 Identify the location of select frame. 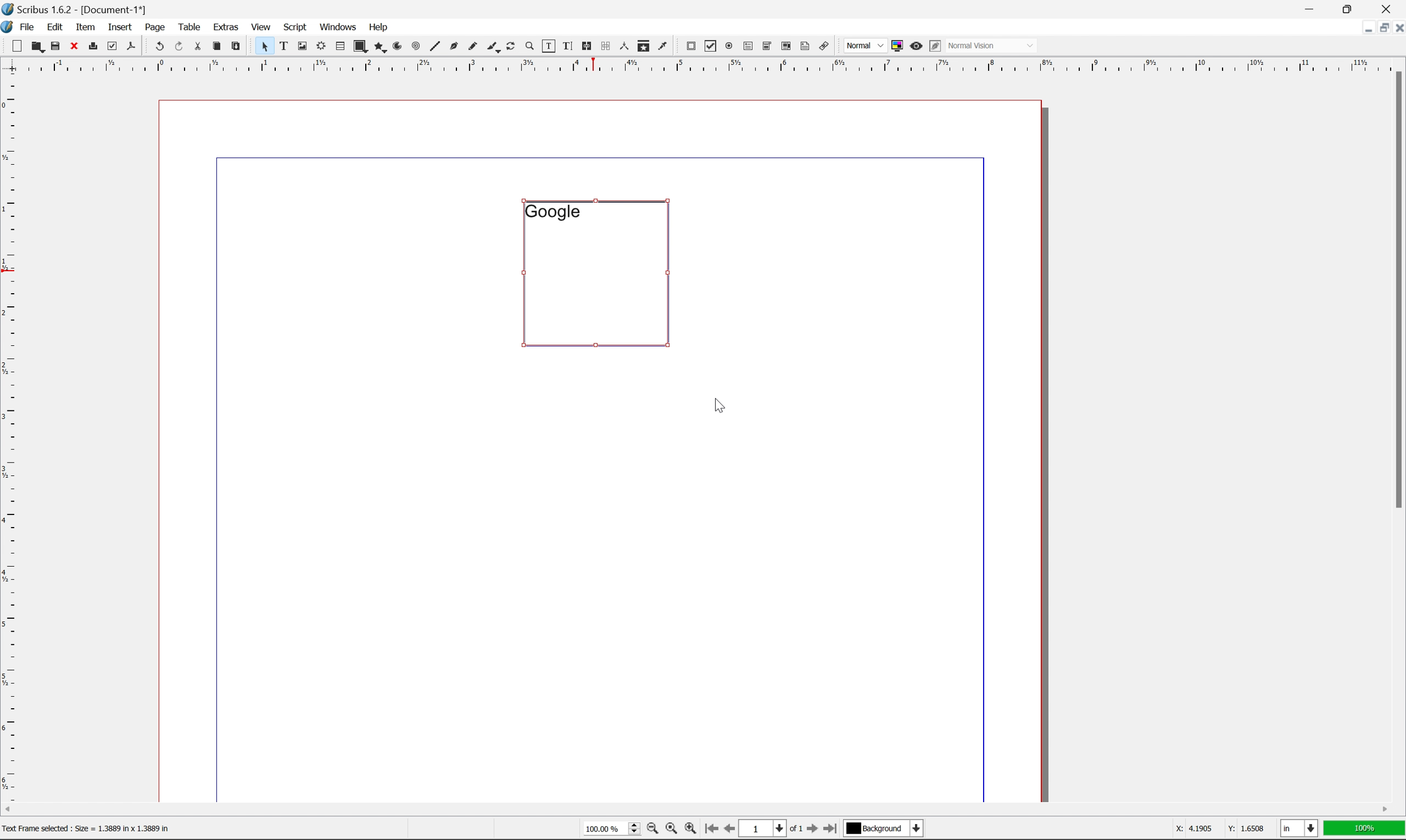
(264, 48).